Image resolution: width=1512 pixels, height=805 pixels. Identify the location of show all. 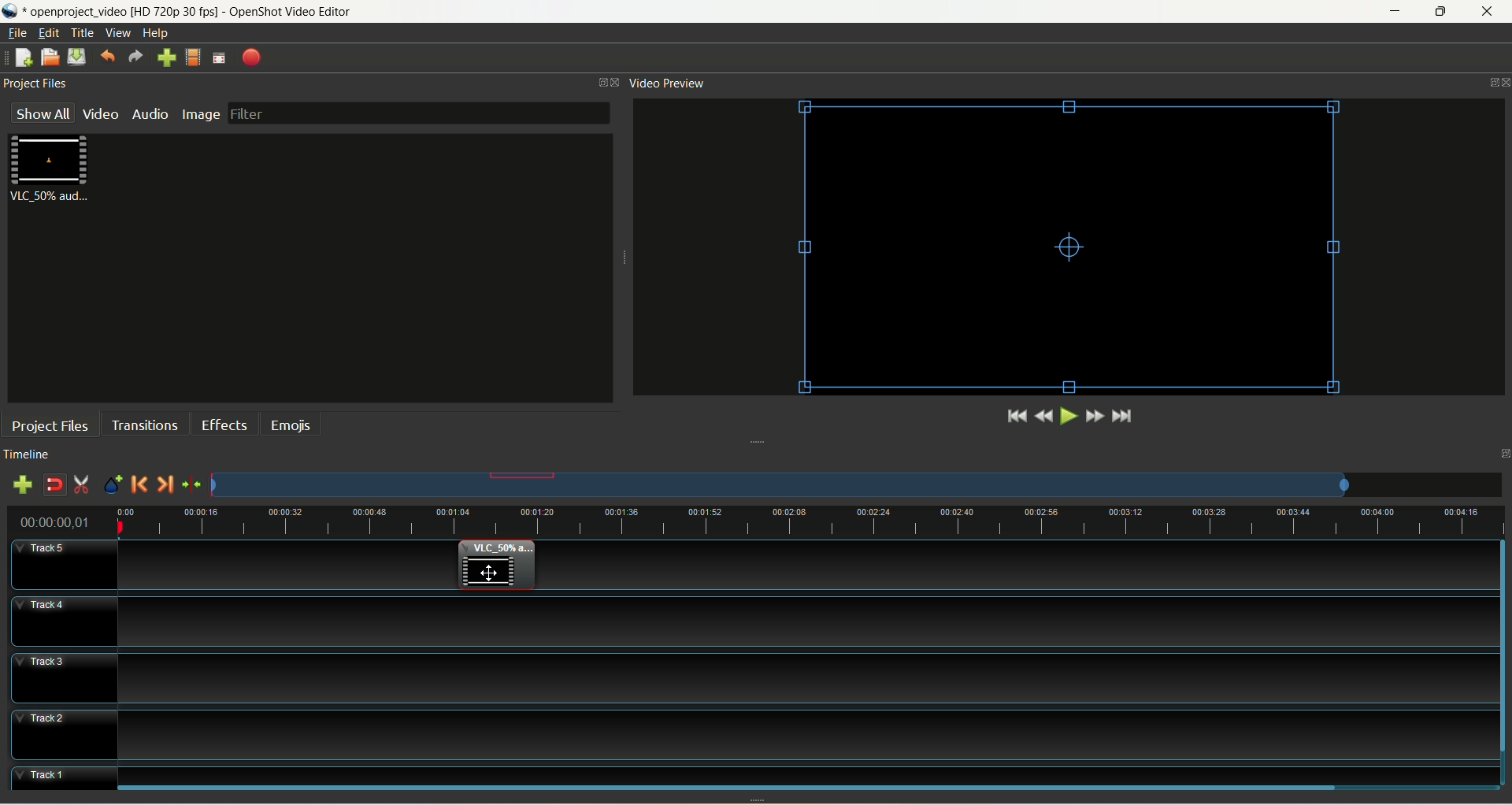
(44, 112).